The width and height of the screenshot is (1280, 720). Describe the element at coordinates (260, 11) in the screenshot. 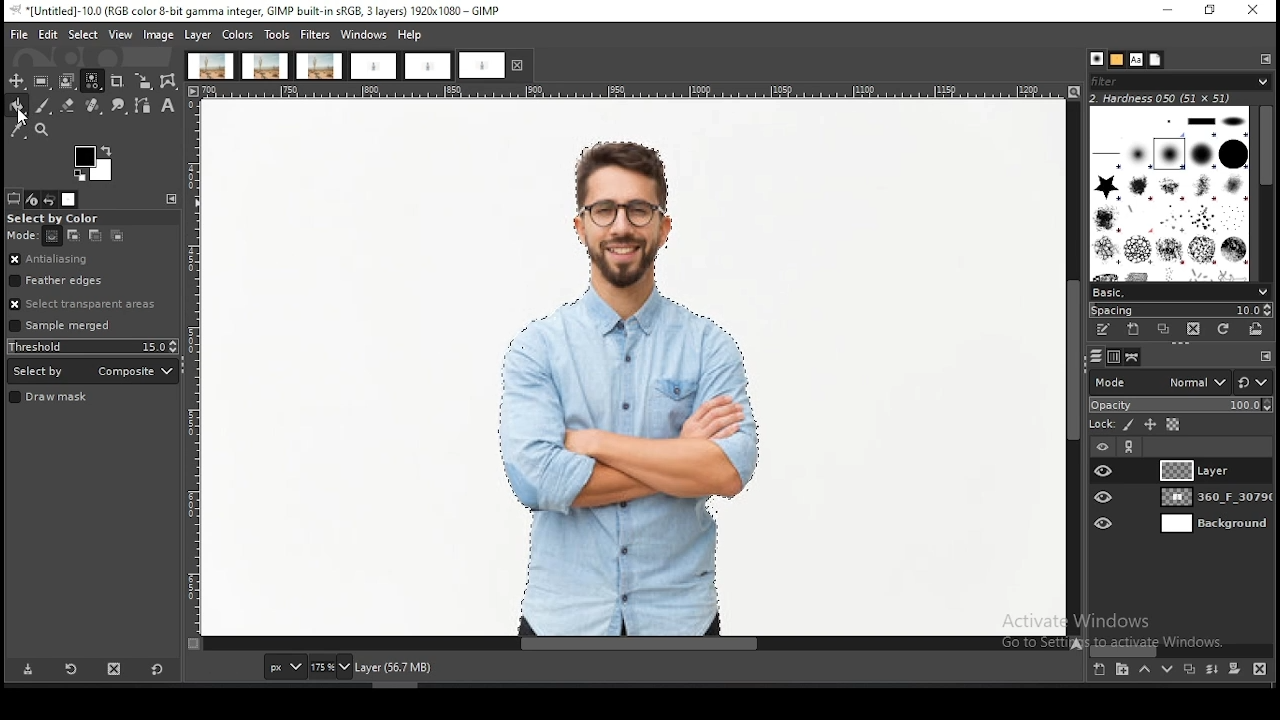

I see `*[Untitled]-10.0 (RGB color 8-bit gamma integer, GIMP built-in sRGB, 2 layers) 1920x1080 — GIMP` at that location.